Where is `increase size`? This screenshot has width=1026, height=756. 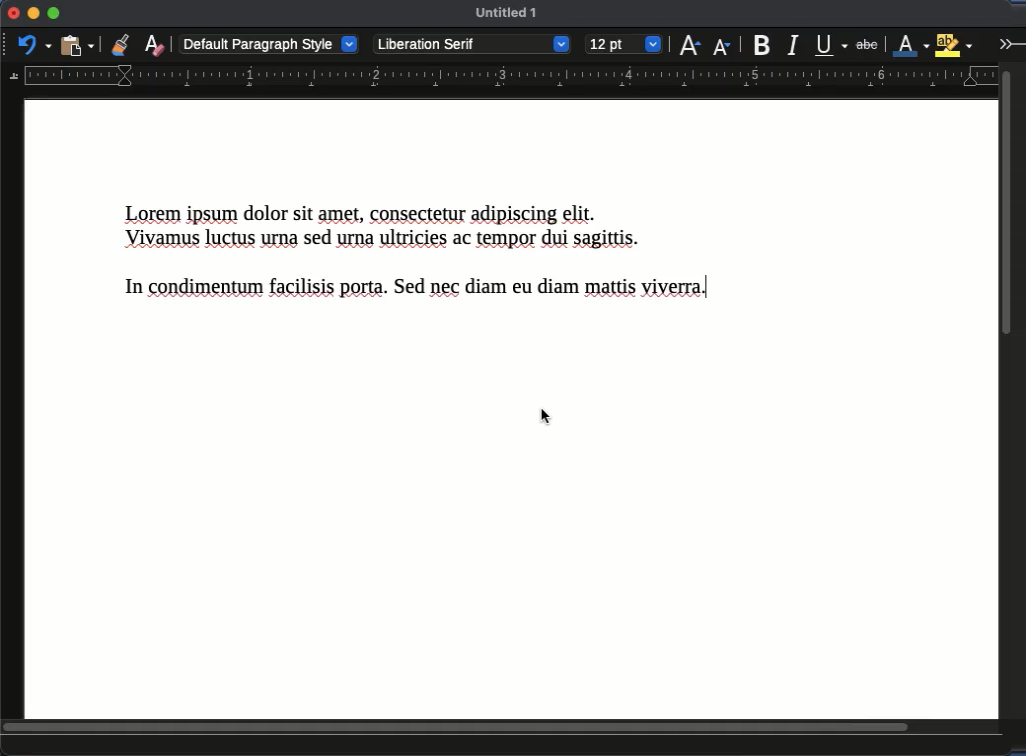 increase size is located at coordinates (689, 44).